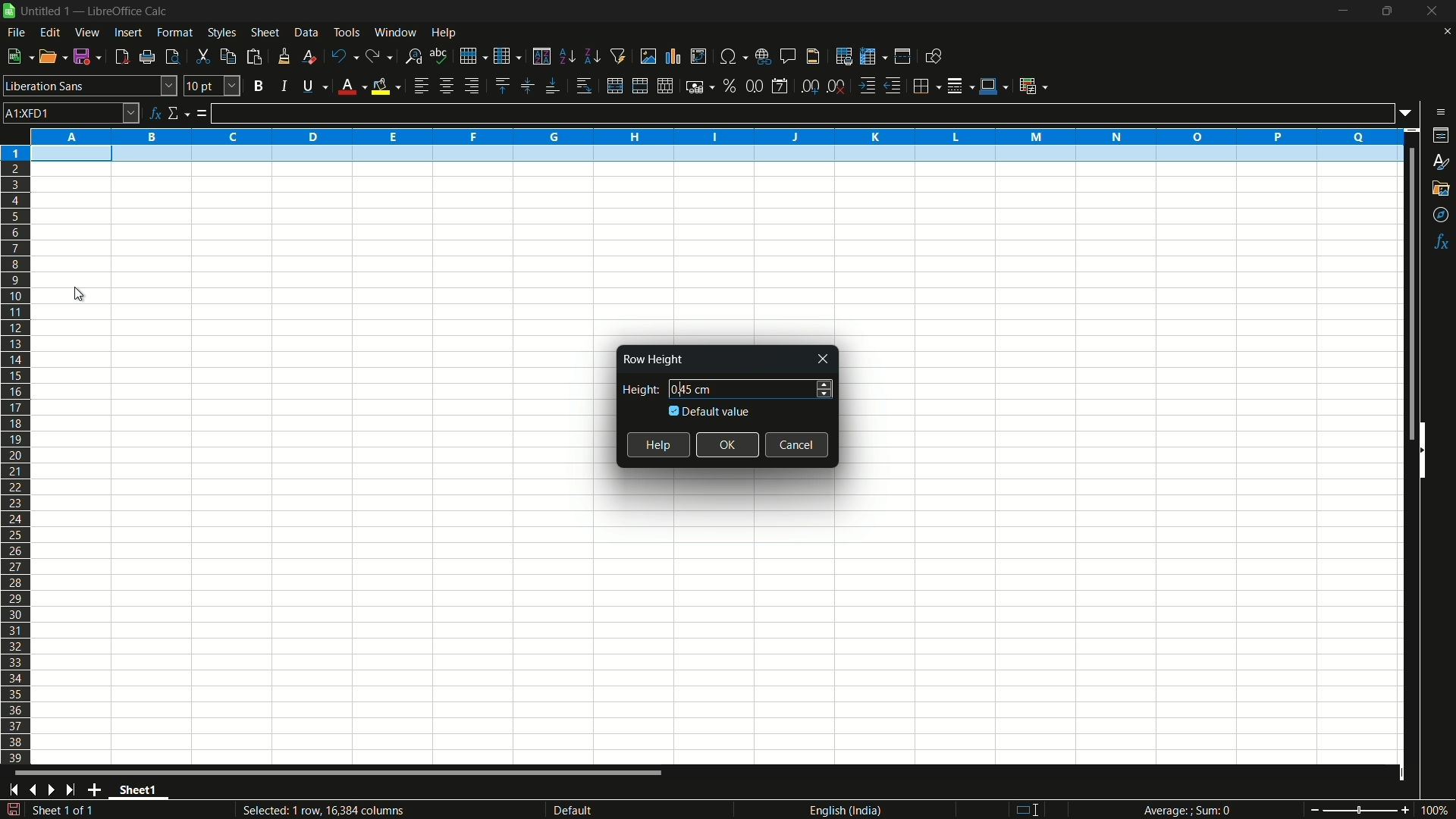  I want to click on merge and center, so click(638, 86).